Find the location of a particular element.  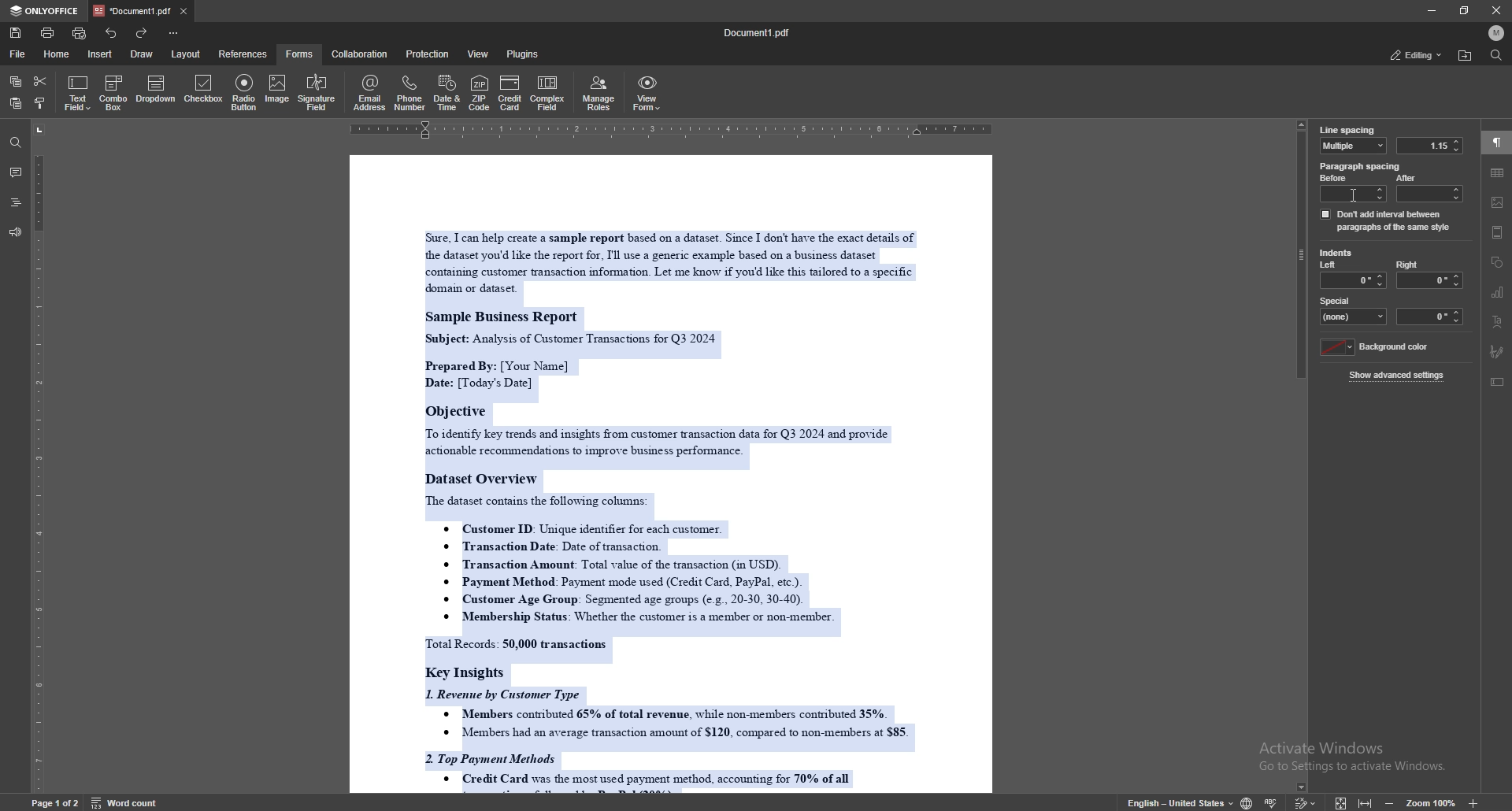

page is located at coordinates (55, 802).